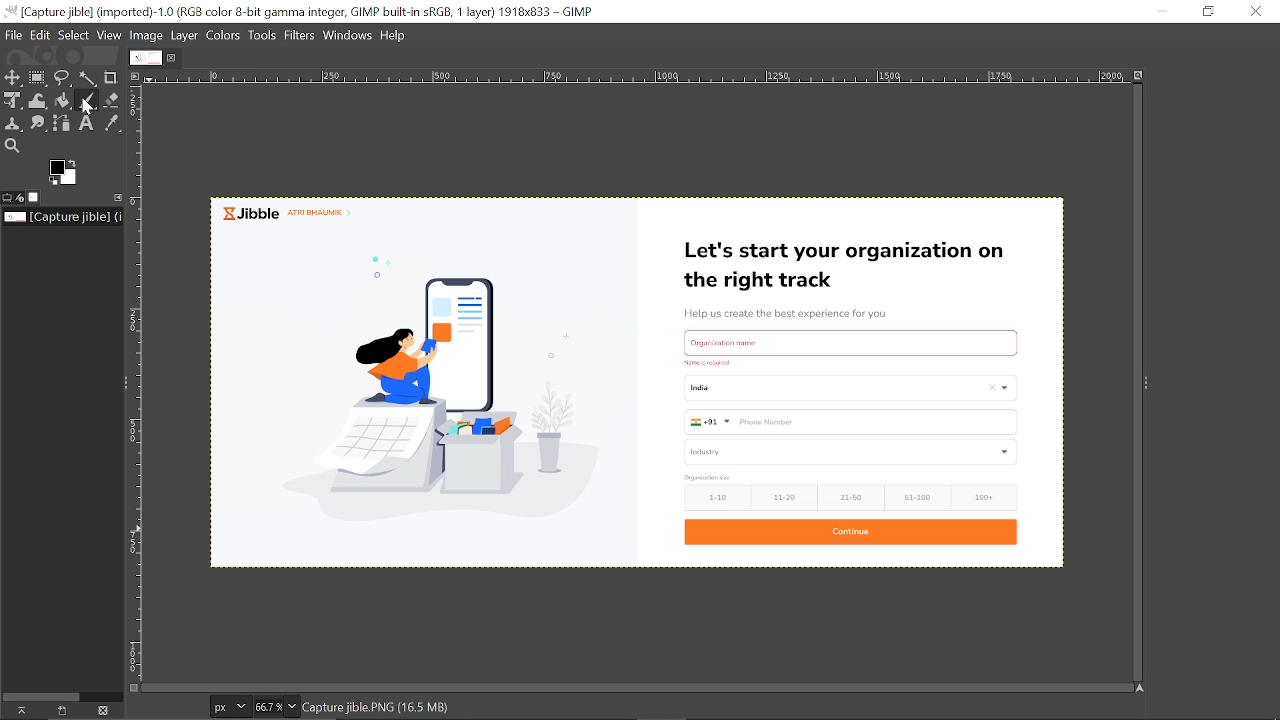  I want to click on Select, so click(74, 36).